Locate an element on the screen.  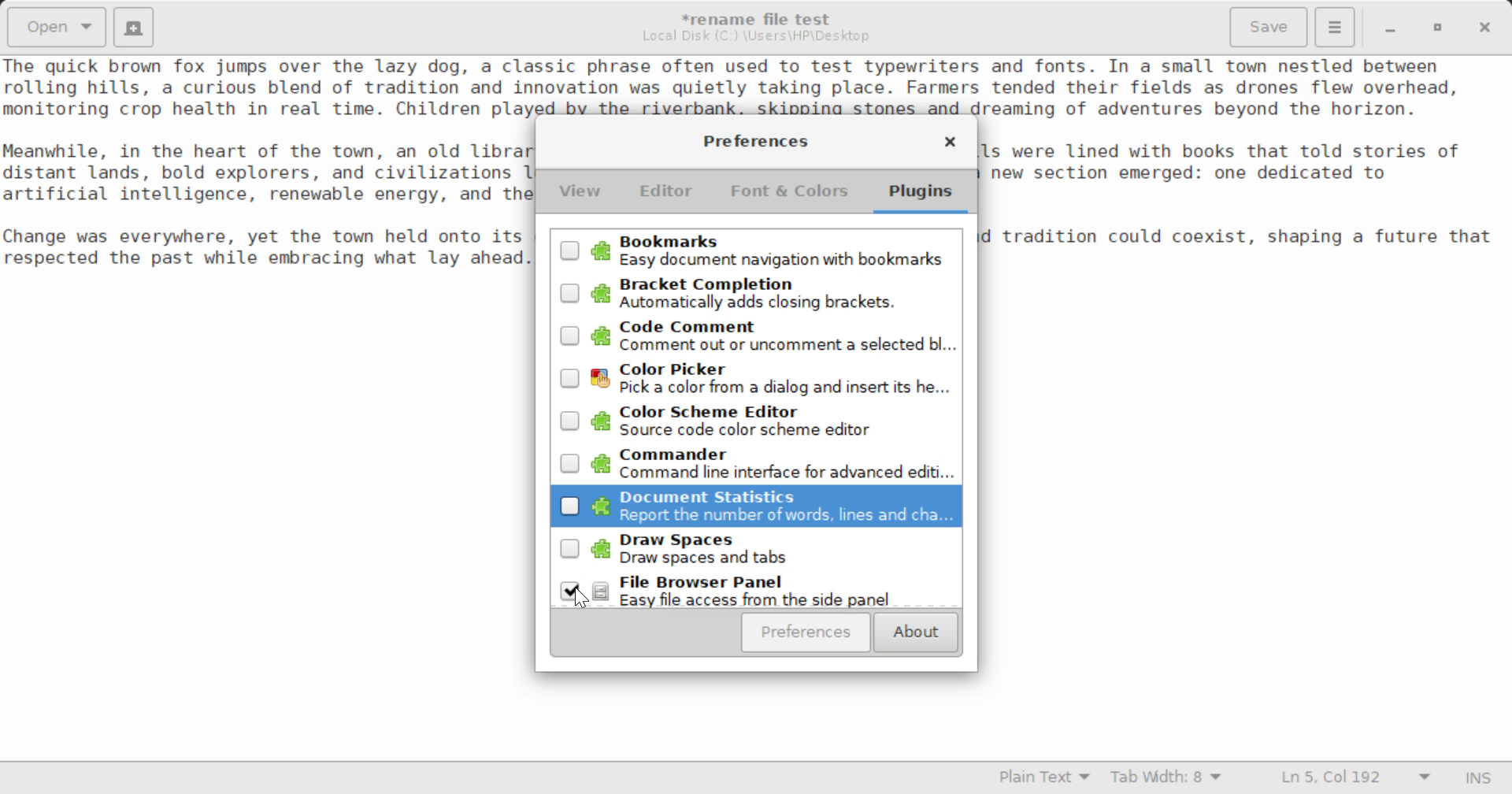
File Location is located at coordinates (756, 36).